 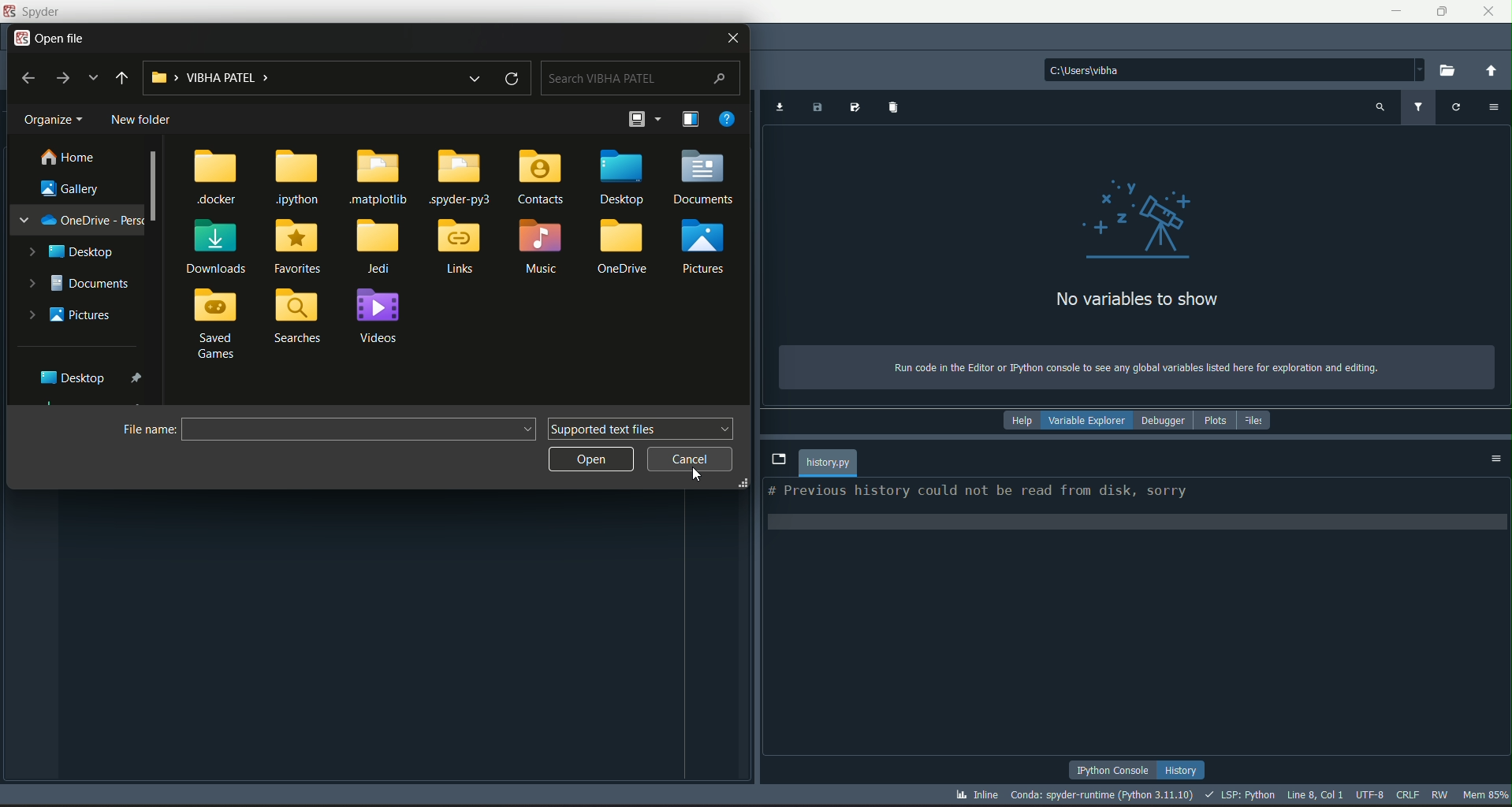 What do you see at coordinates (218, 325) in the screenshot?
I see `saved games` at bounding box center [218, 325].